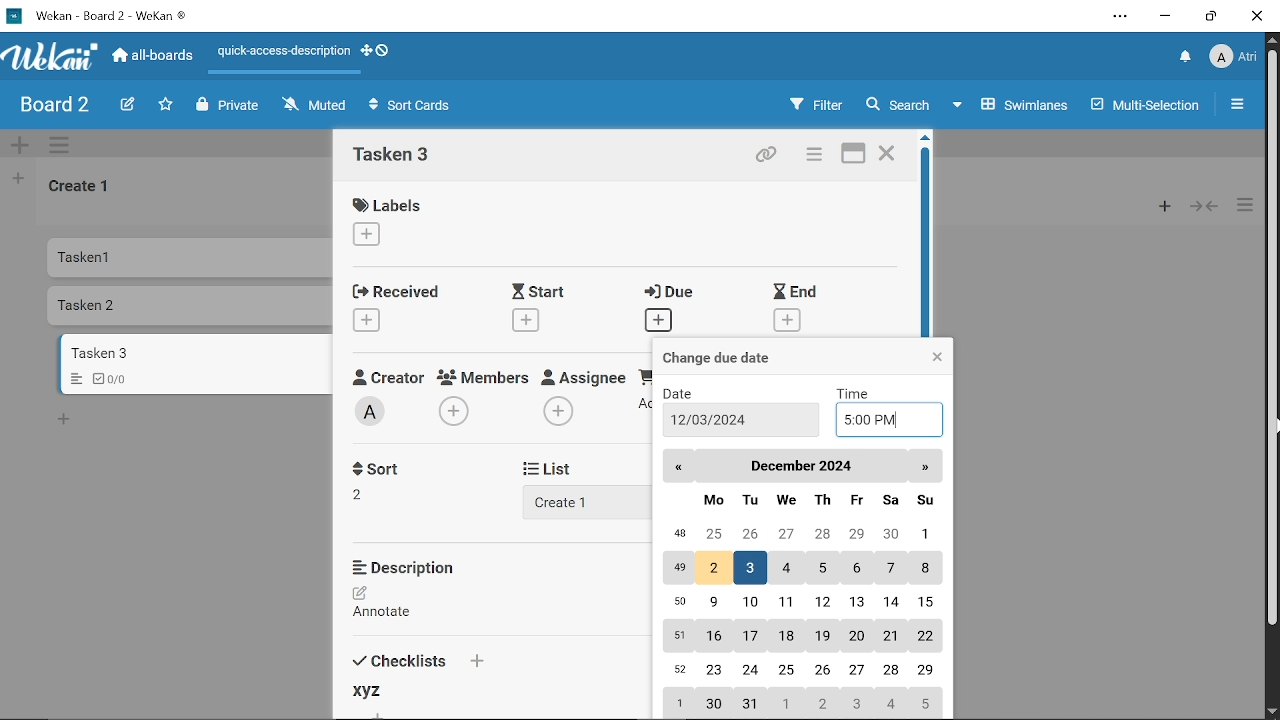 Image resolution: width=1280 pixels, height=720 pixels. What do you see at coordinates (67, 420) in the screenshot?
I see `Add card bottom to the list` at bounding box center [67, 420].